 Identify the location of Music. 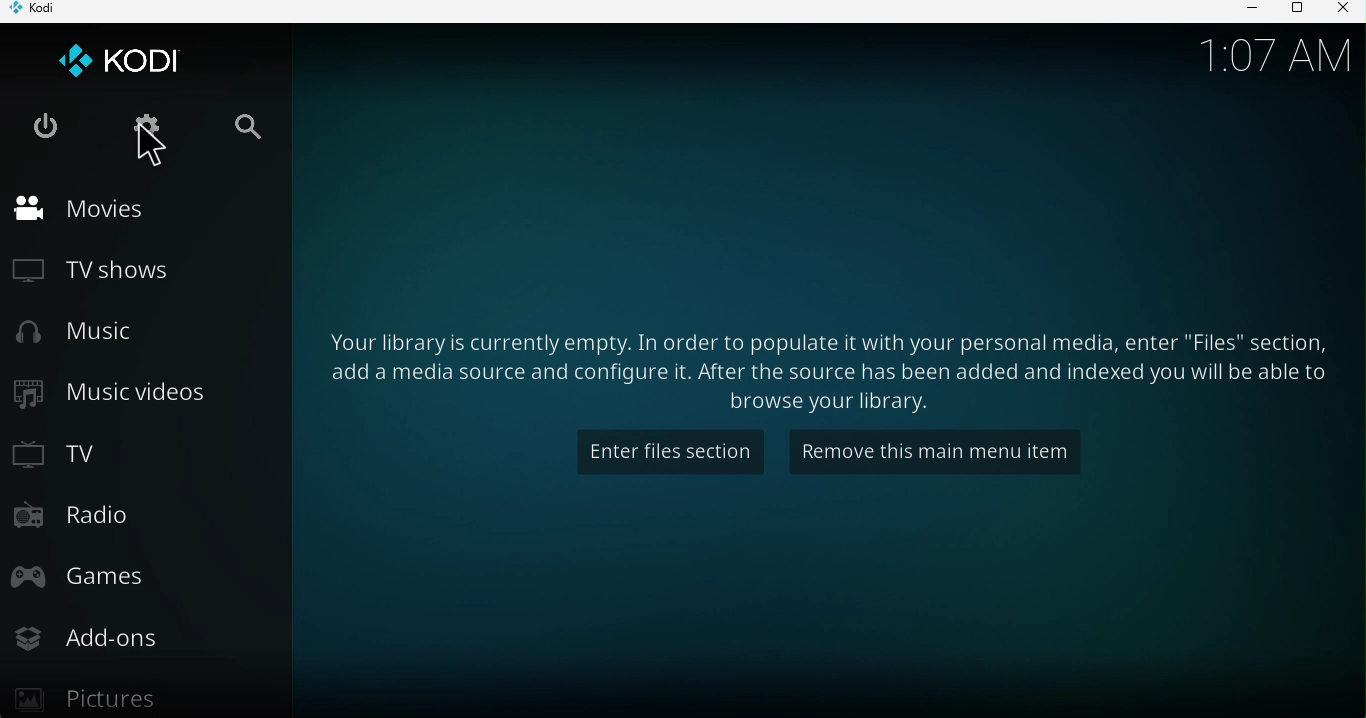
(82, 335).